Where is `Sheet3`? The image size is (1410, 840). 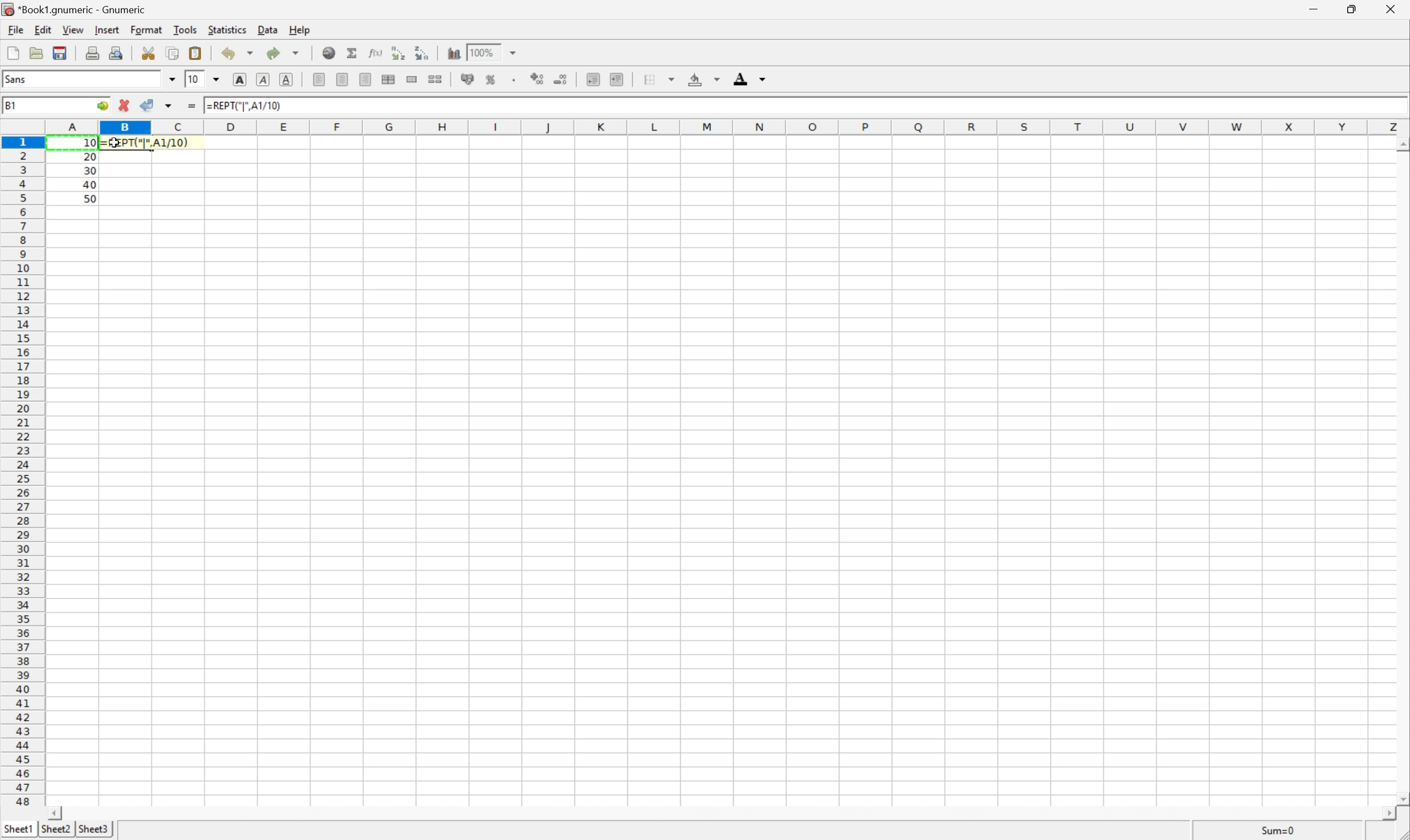
Sheet3 is located at coordinates (93, 830).